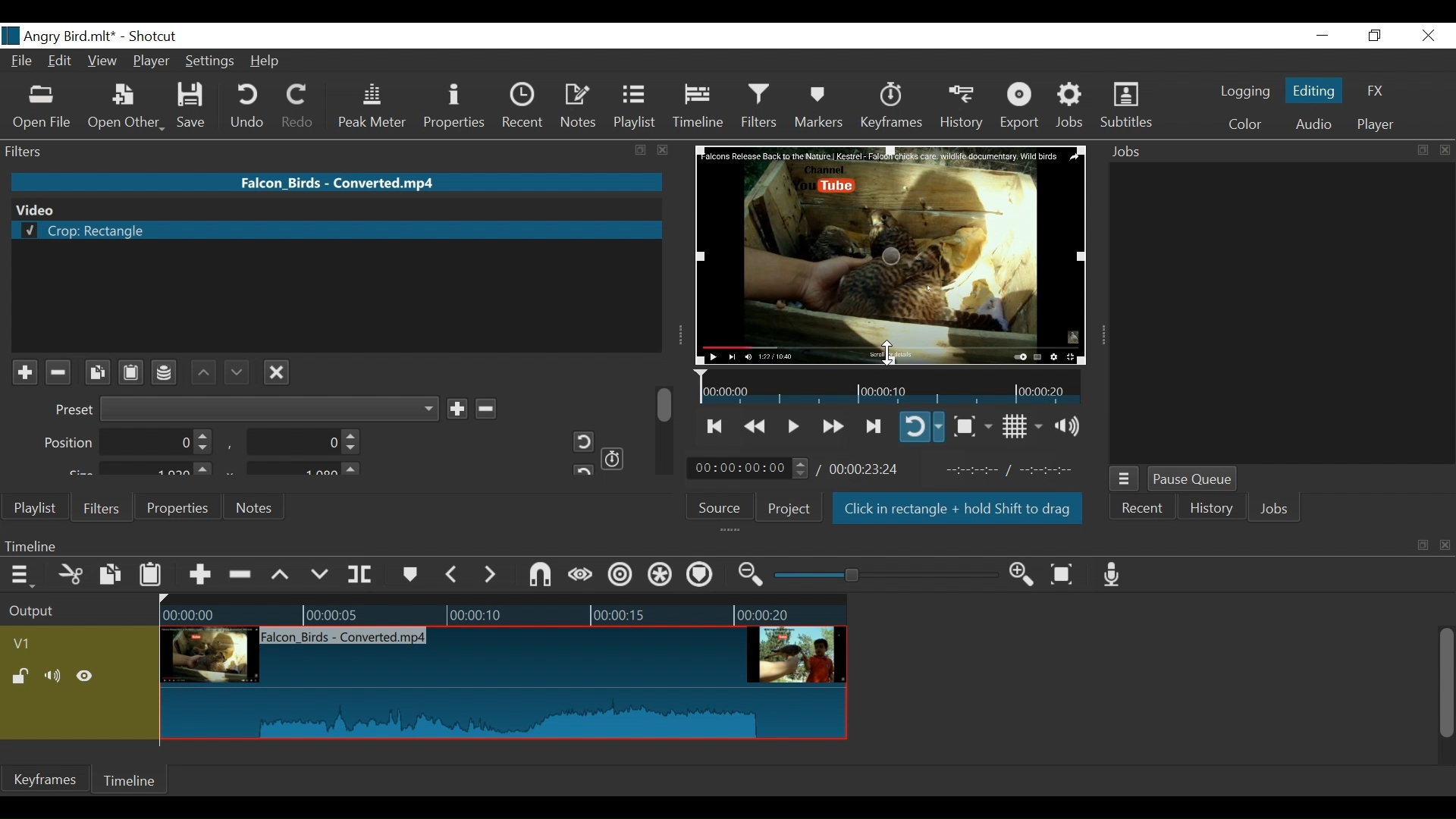 The height and width of the screenshot is (819, 1456). I want to click on copy, so click(1423, 545).